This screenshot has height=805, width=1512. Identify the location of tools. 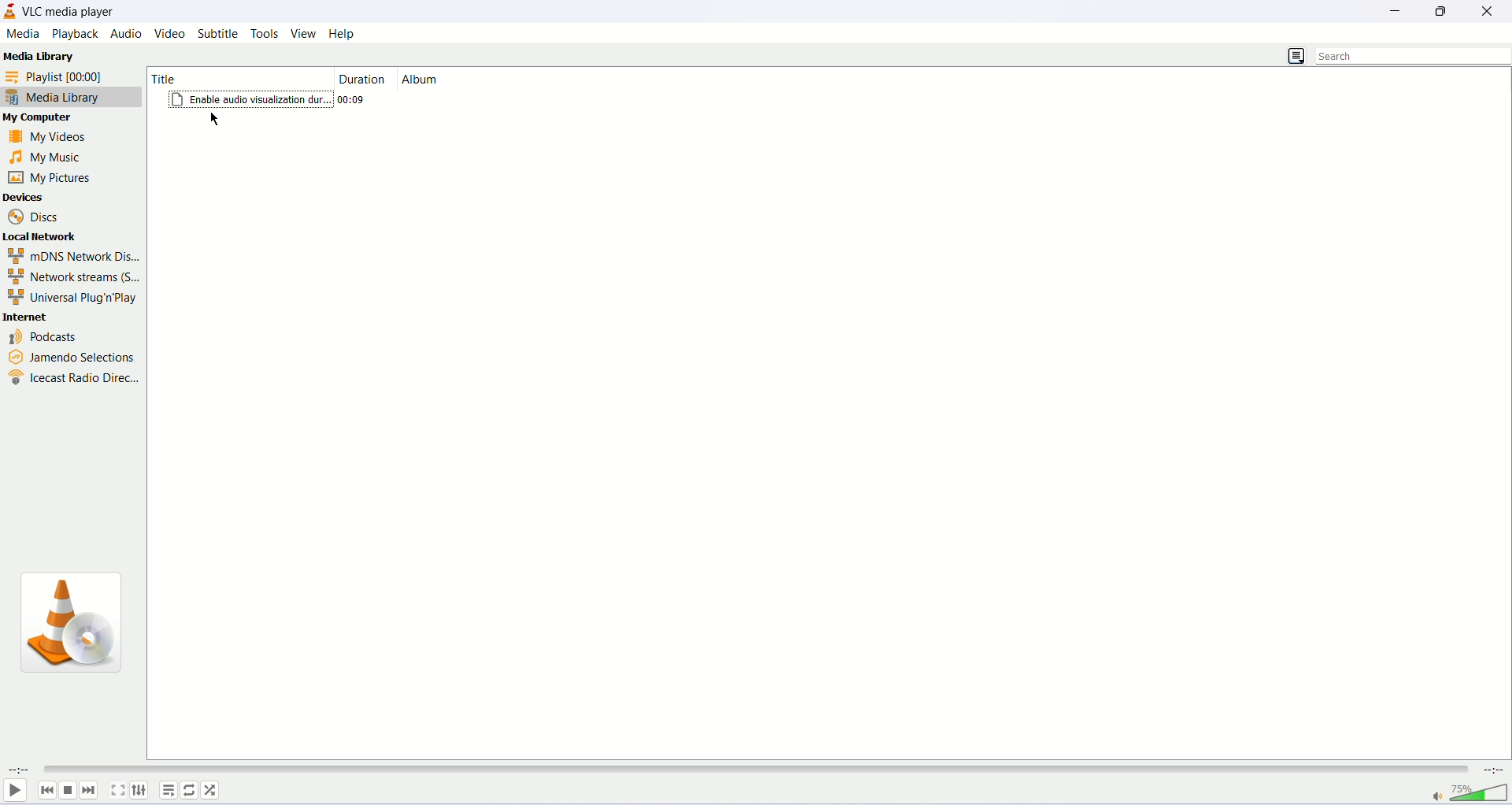
(265, 34).